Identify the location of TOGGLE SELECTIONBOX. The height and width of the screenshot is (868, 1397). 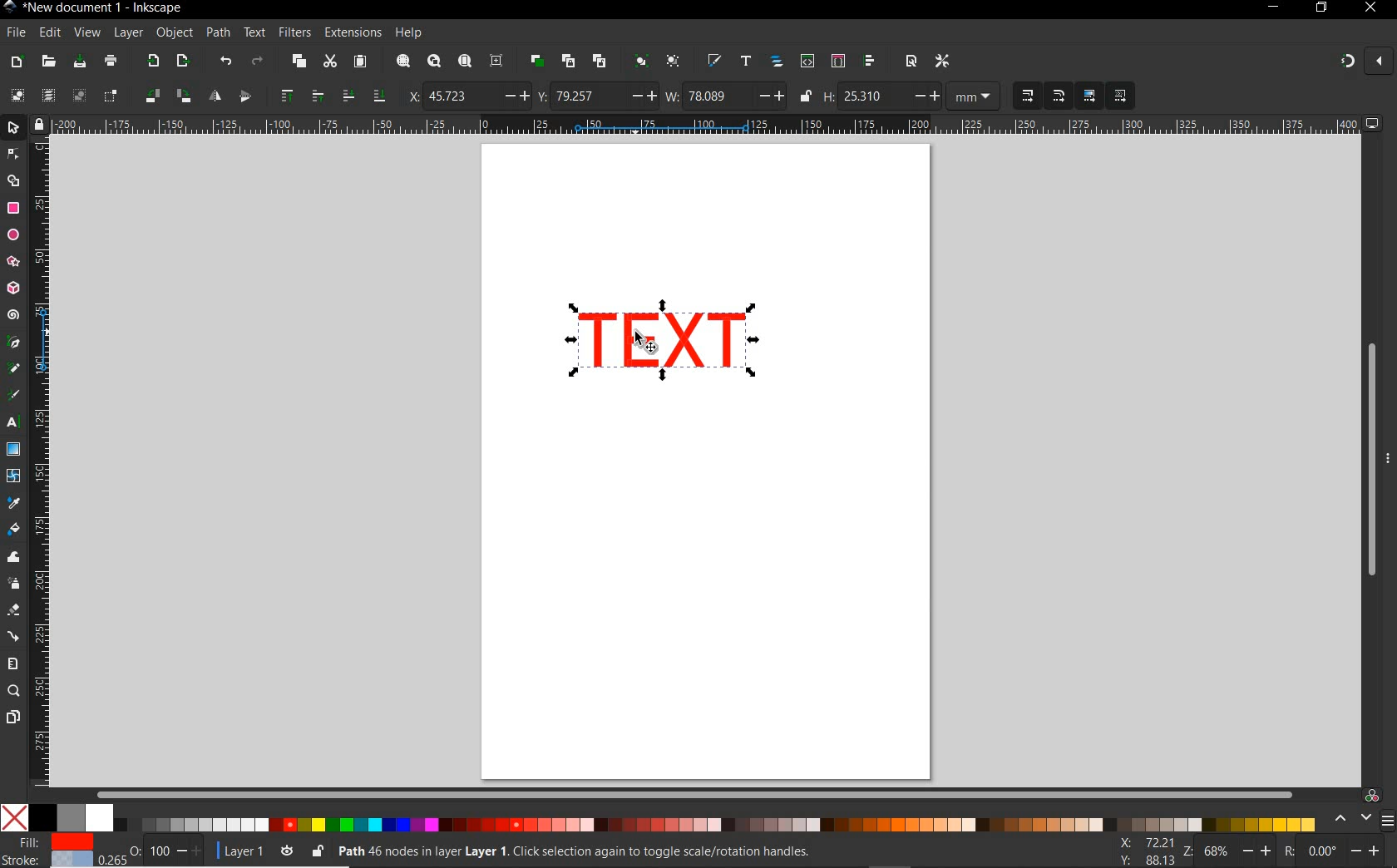
(111, 96).